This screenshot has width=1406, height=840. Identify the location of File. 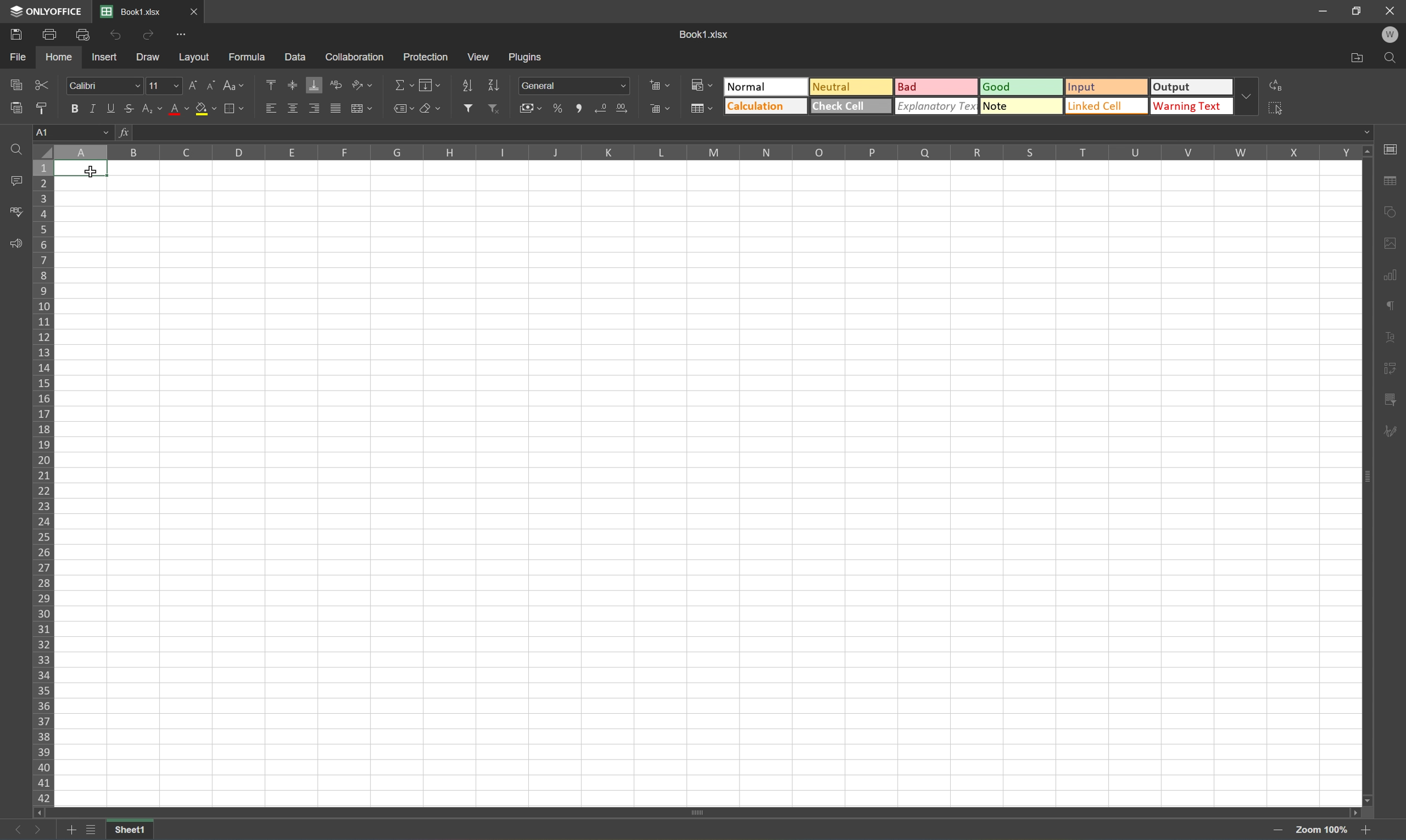
(19, 58).